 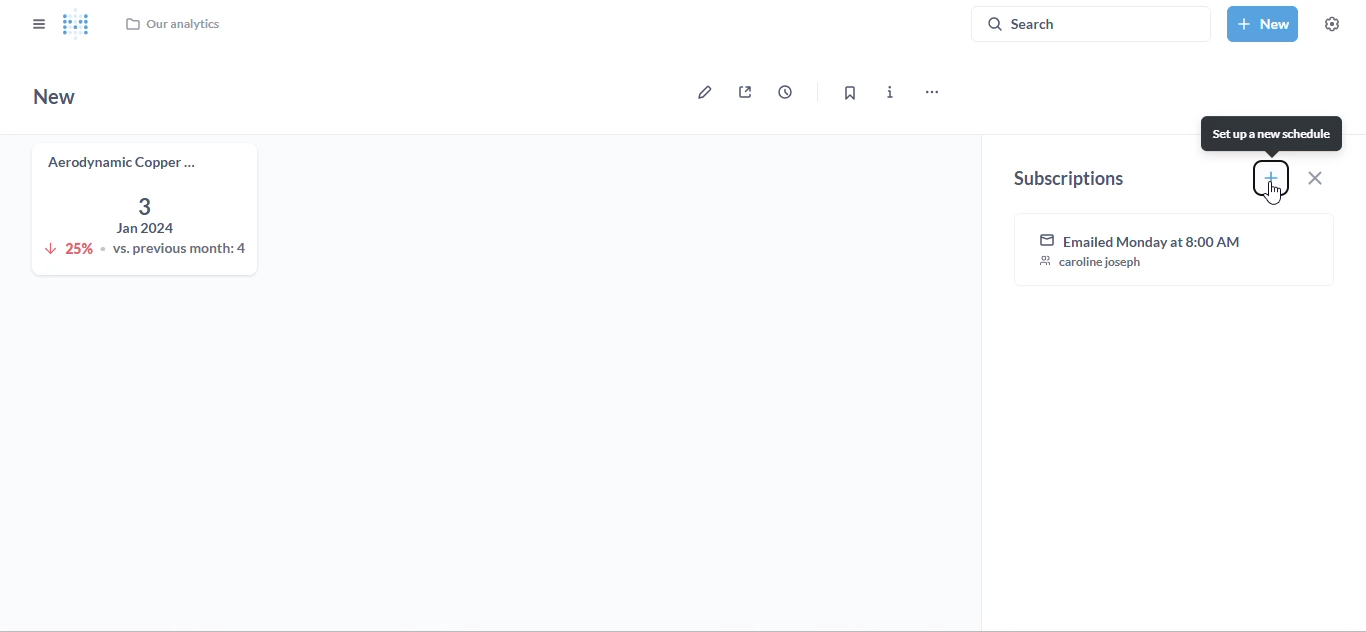 I want to click on more info, so click(x=891, y=92).